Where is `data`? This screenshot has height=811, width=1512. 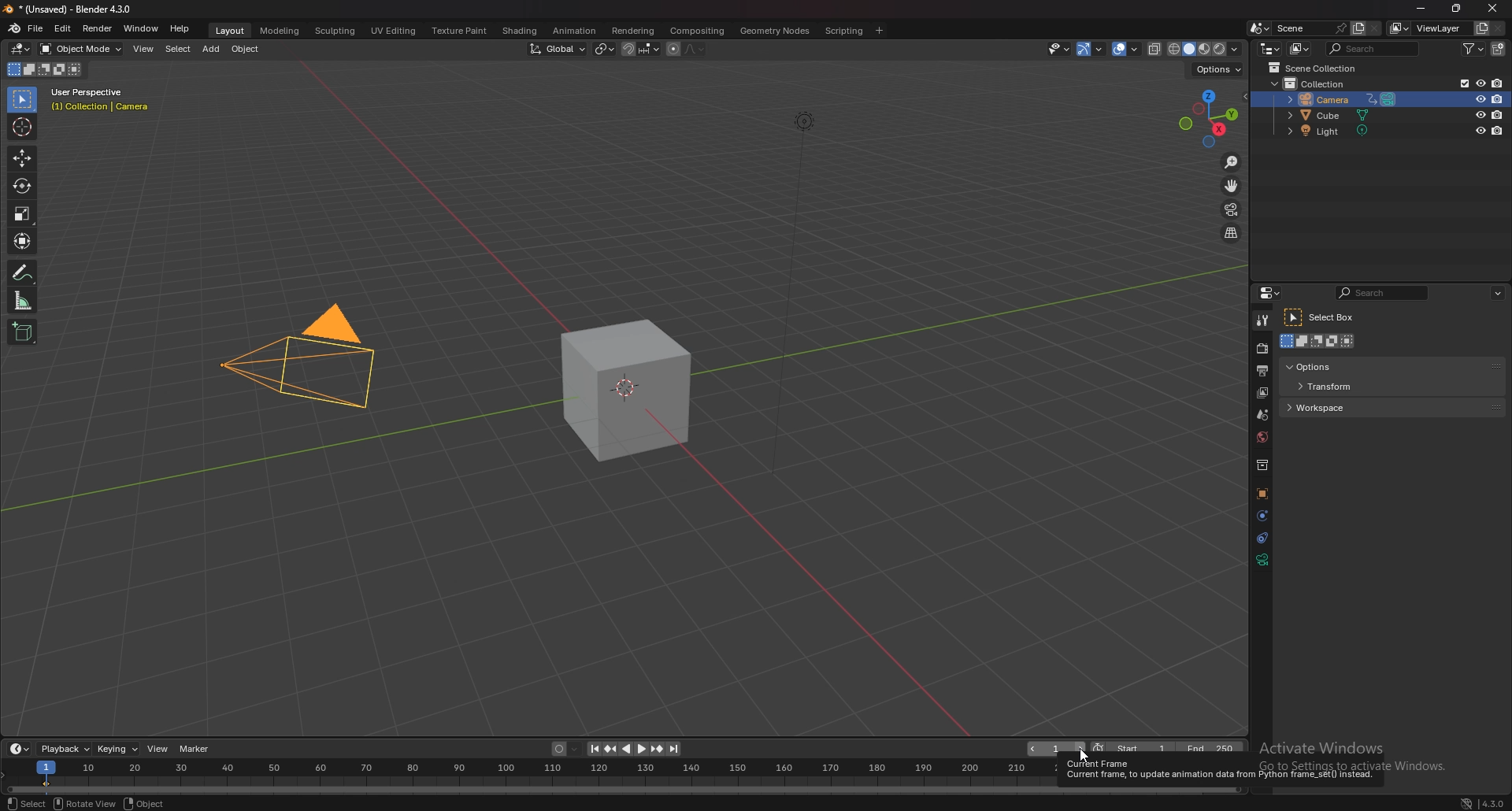 data is located at coordinates (1262, 560).